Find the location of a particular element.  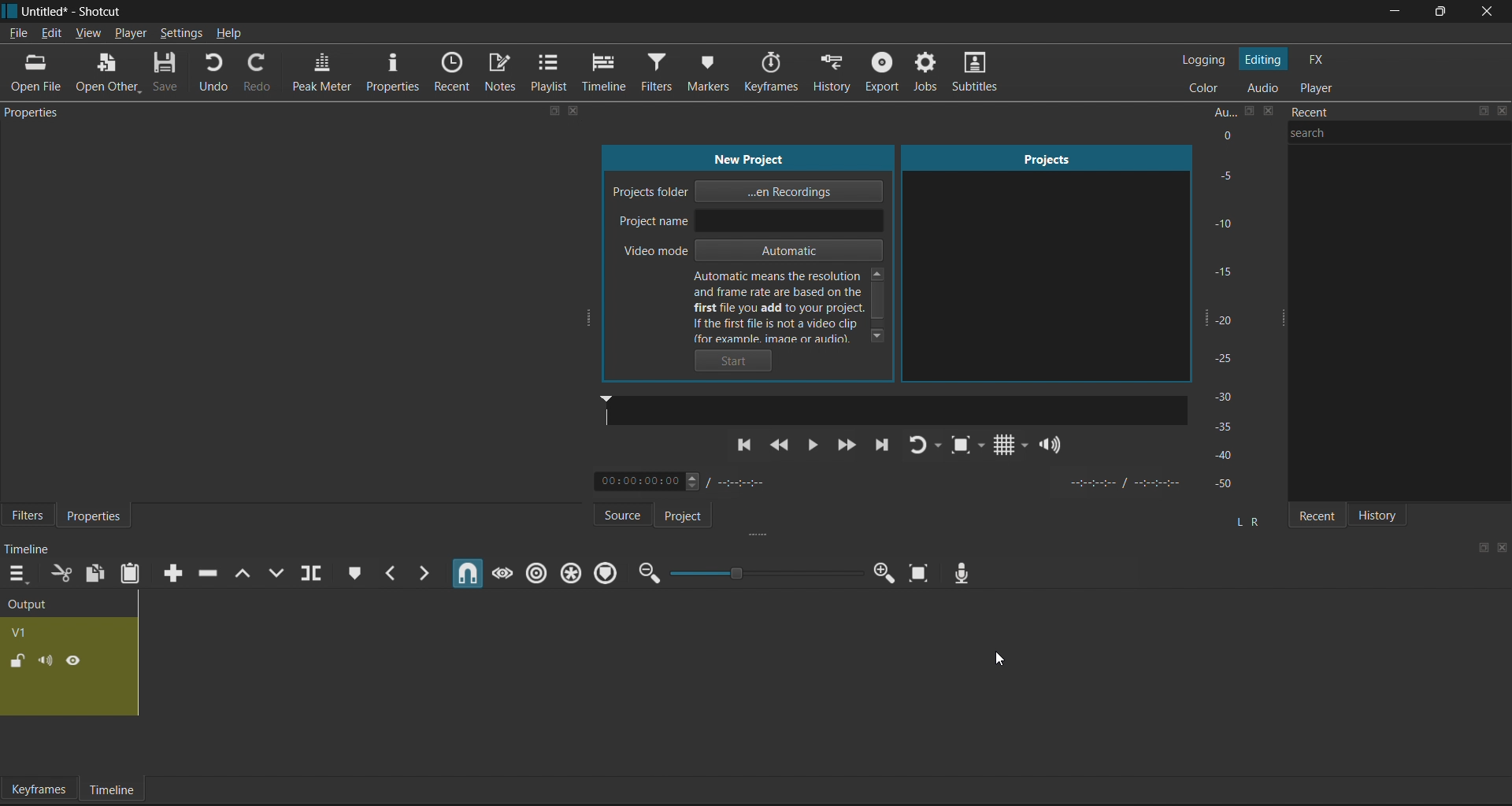

close is located at coordinates (1503, 114).